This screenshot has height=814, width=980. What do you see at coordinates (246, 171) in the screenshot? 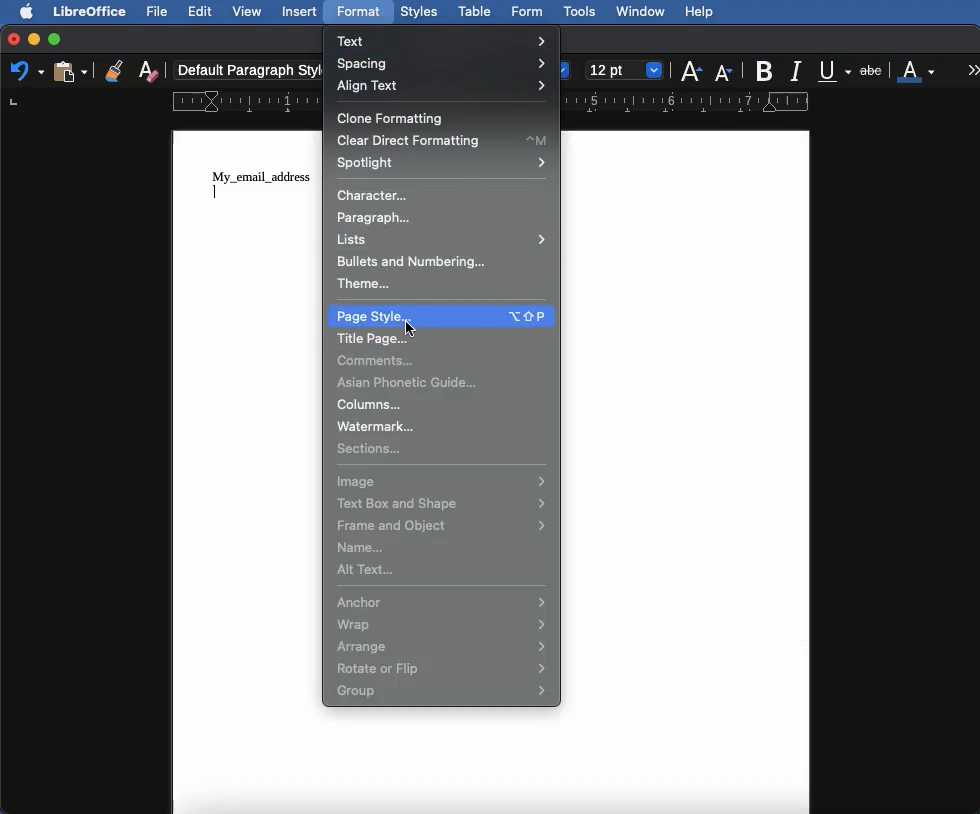
I see `text` at bounding box center [246, 171].